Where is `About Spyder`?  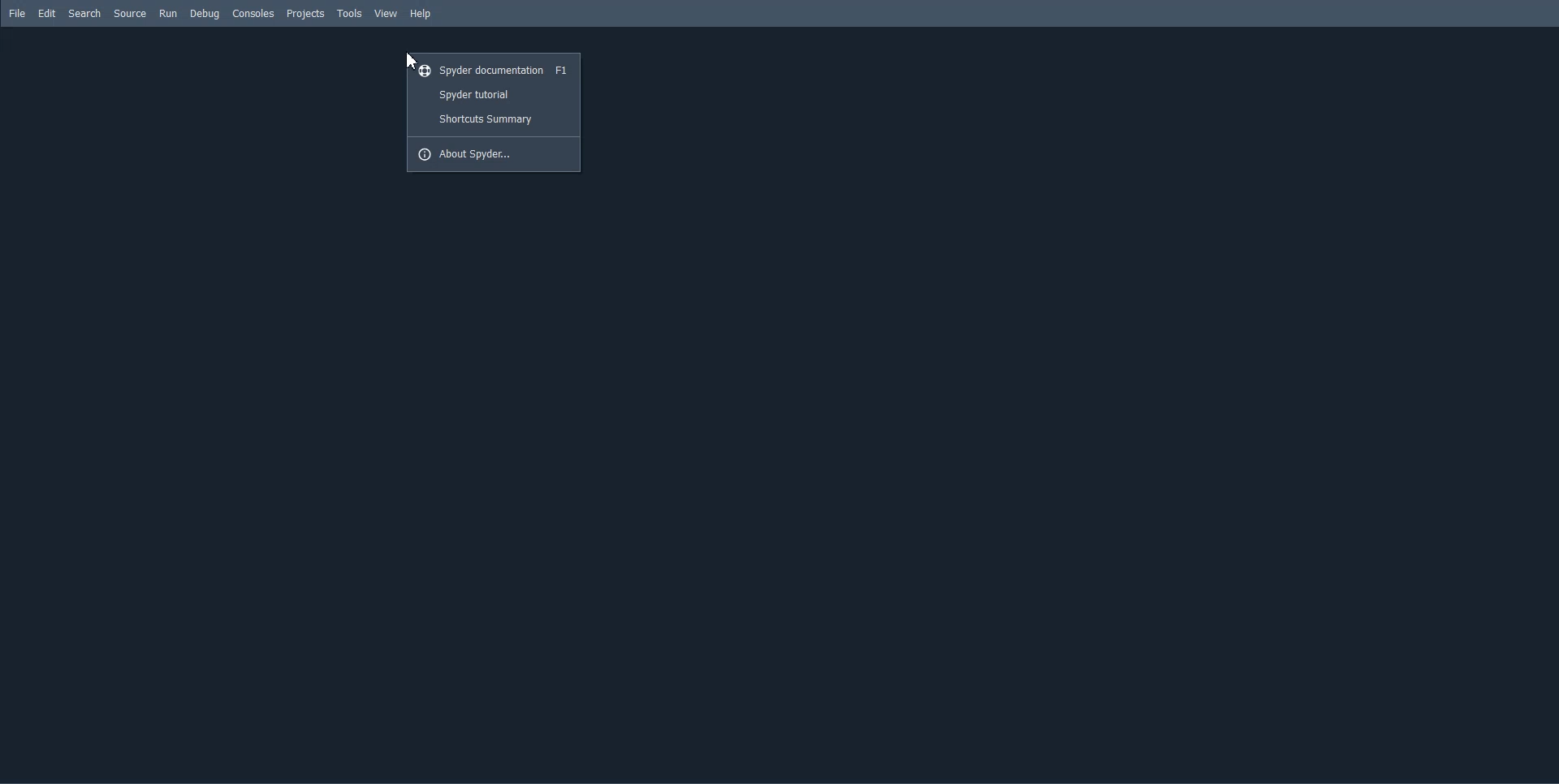
About Spyder is located at coordinates (494, 153).